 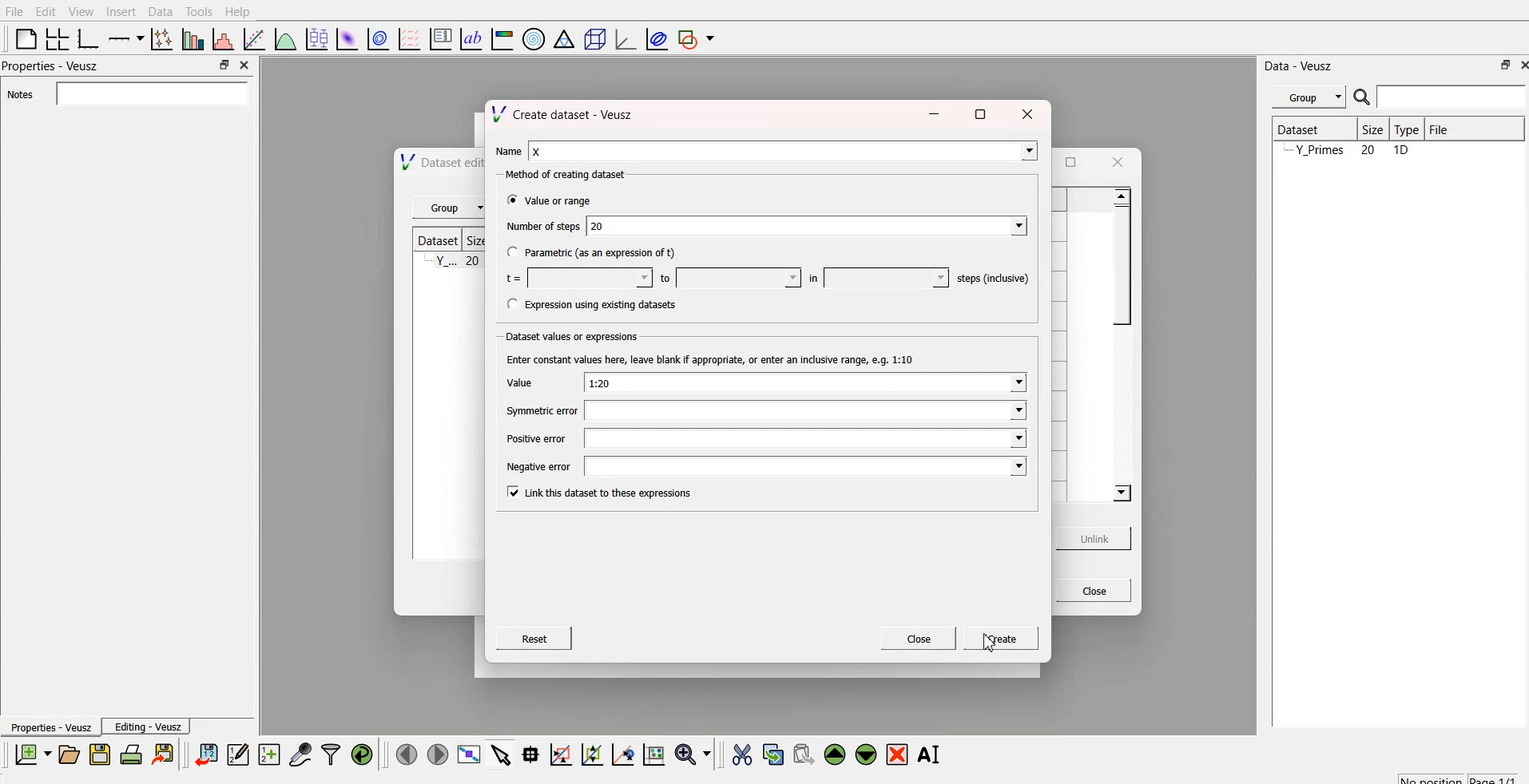 What do you see at coordinates (198, 10) in the screenshot?
I see `Tools` at bounding box center [198, 10].